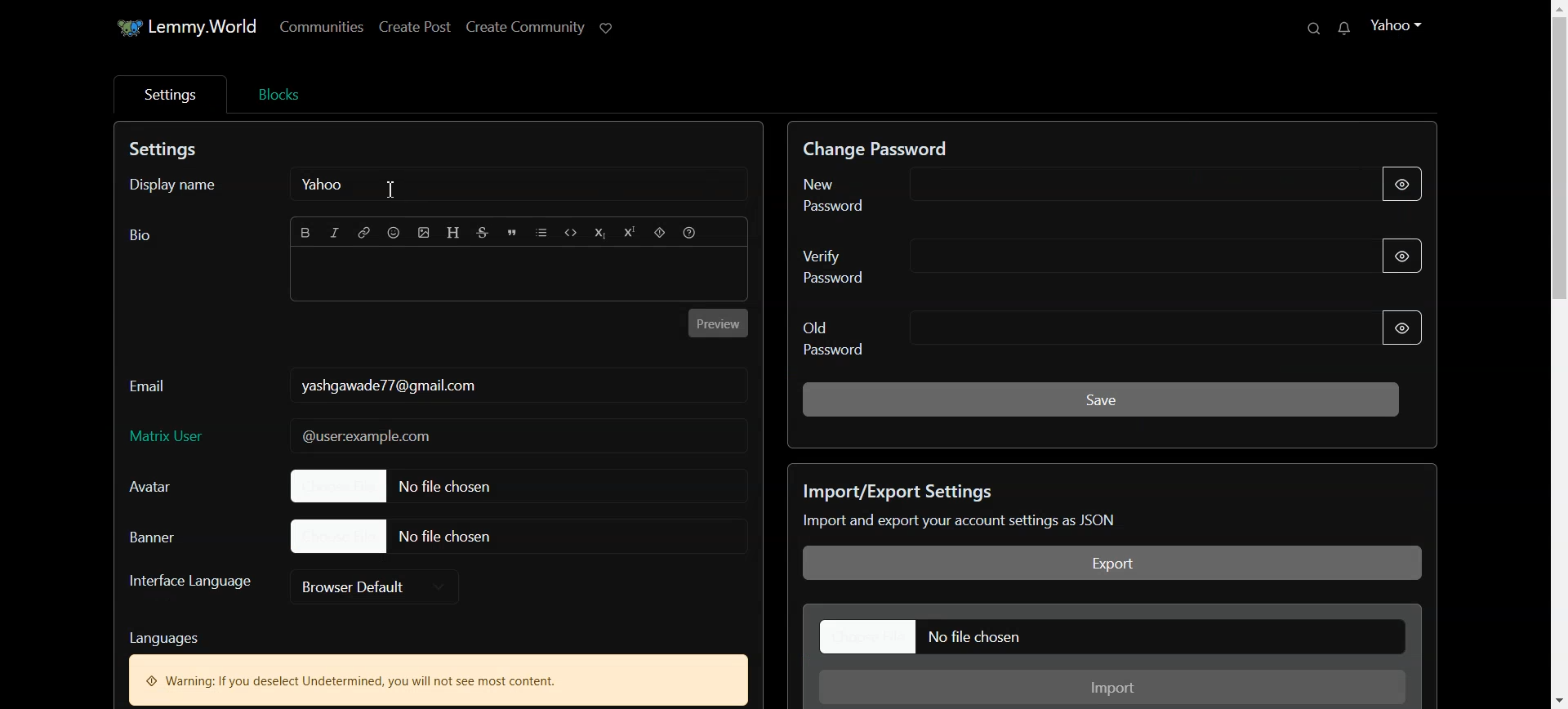  Describe the element at coordinates (150, 381) in the screenshot. I see `Email` at that location.